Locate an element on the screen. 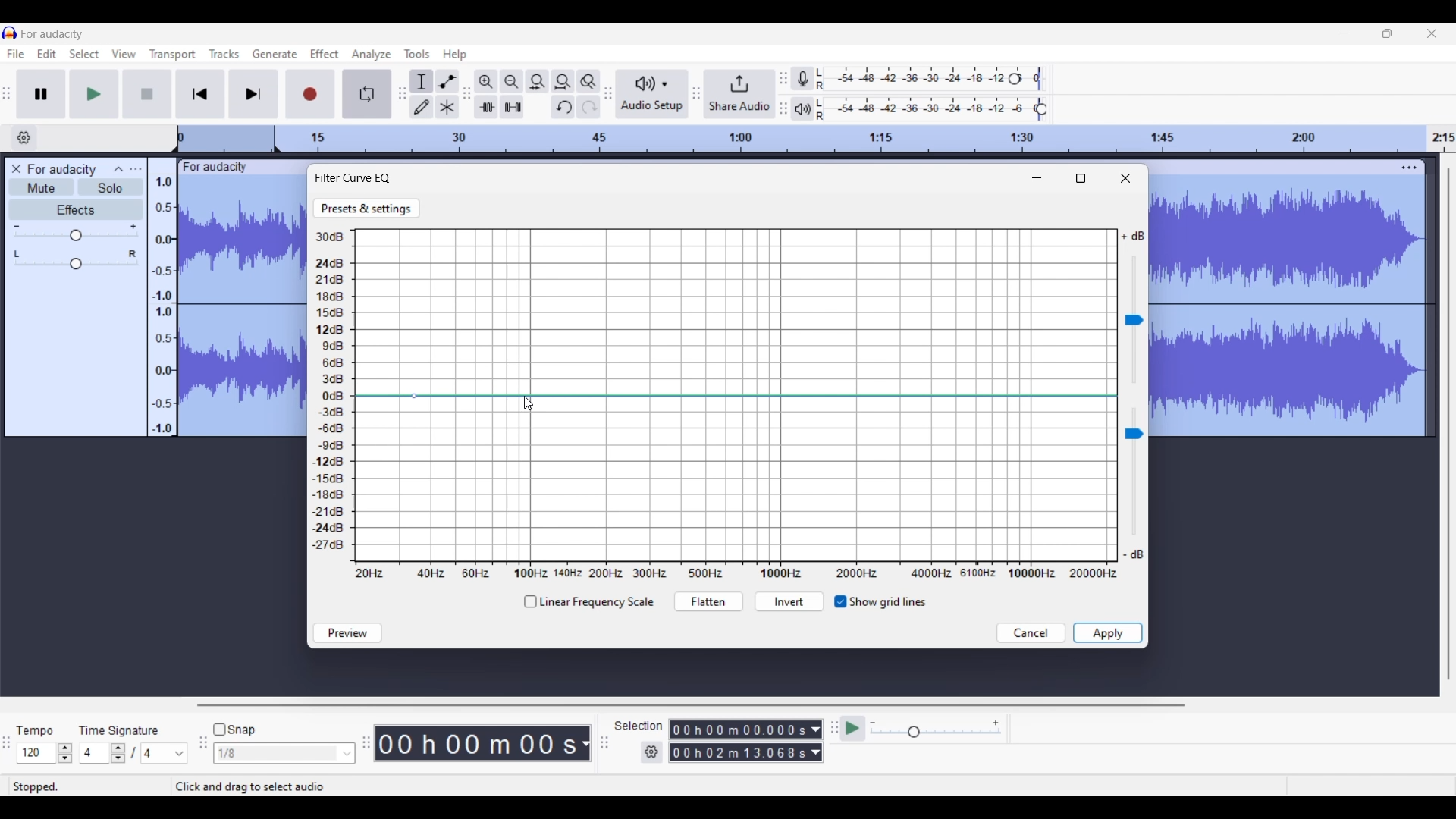 The height and width of the screenshot is (819, 1456). Header space  is located at coordinates (226, 140).